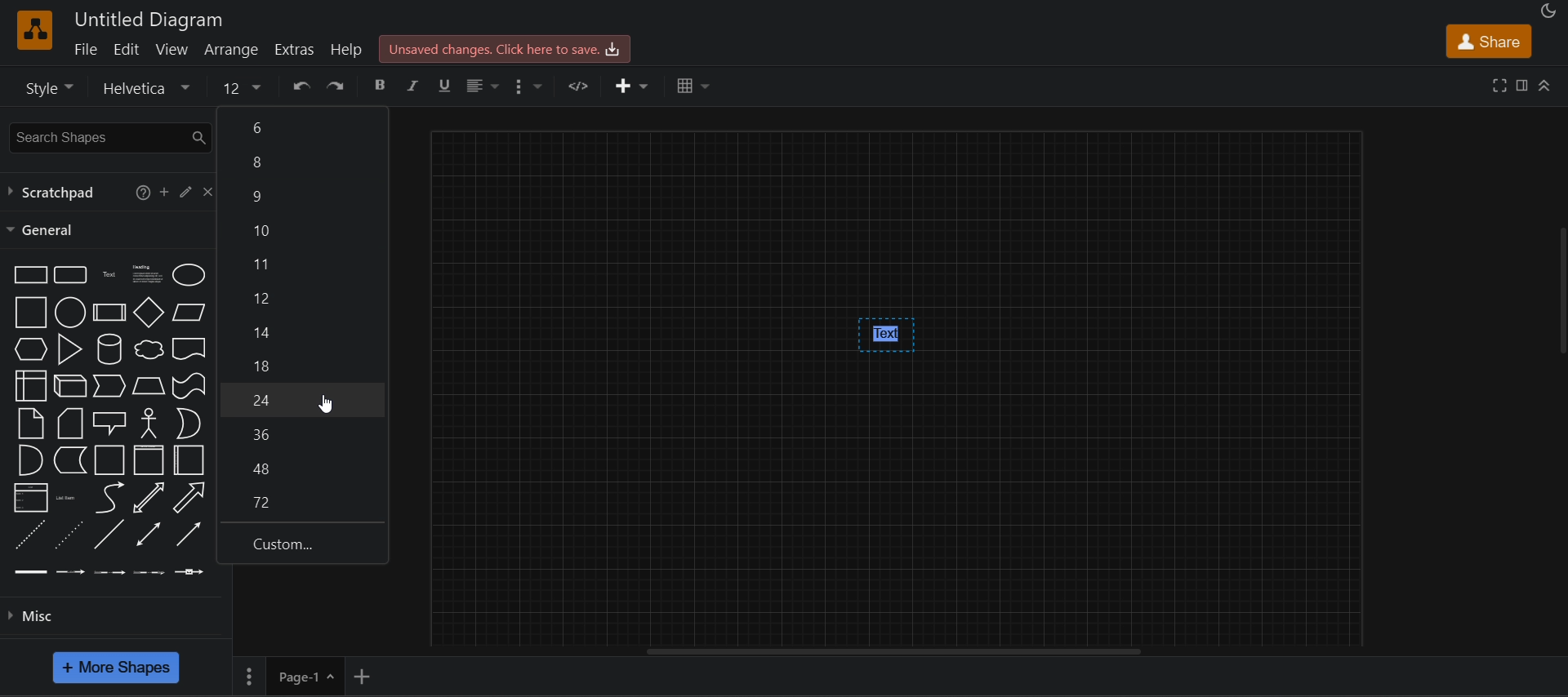  What do you see at coordinates (301, 85) in the screenshot?
I see `undo` at bounding box center [301, 85].